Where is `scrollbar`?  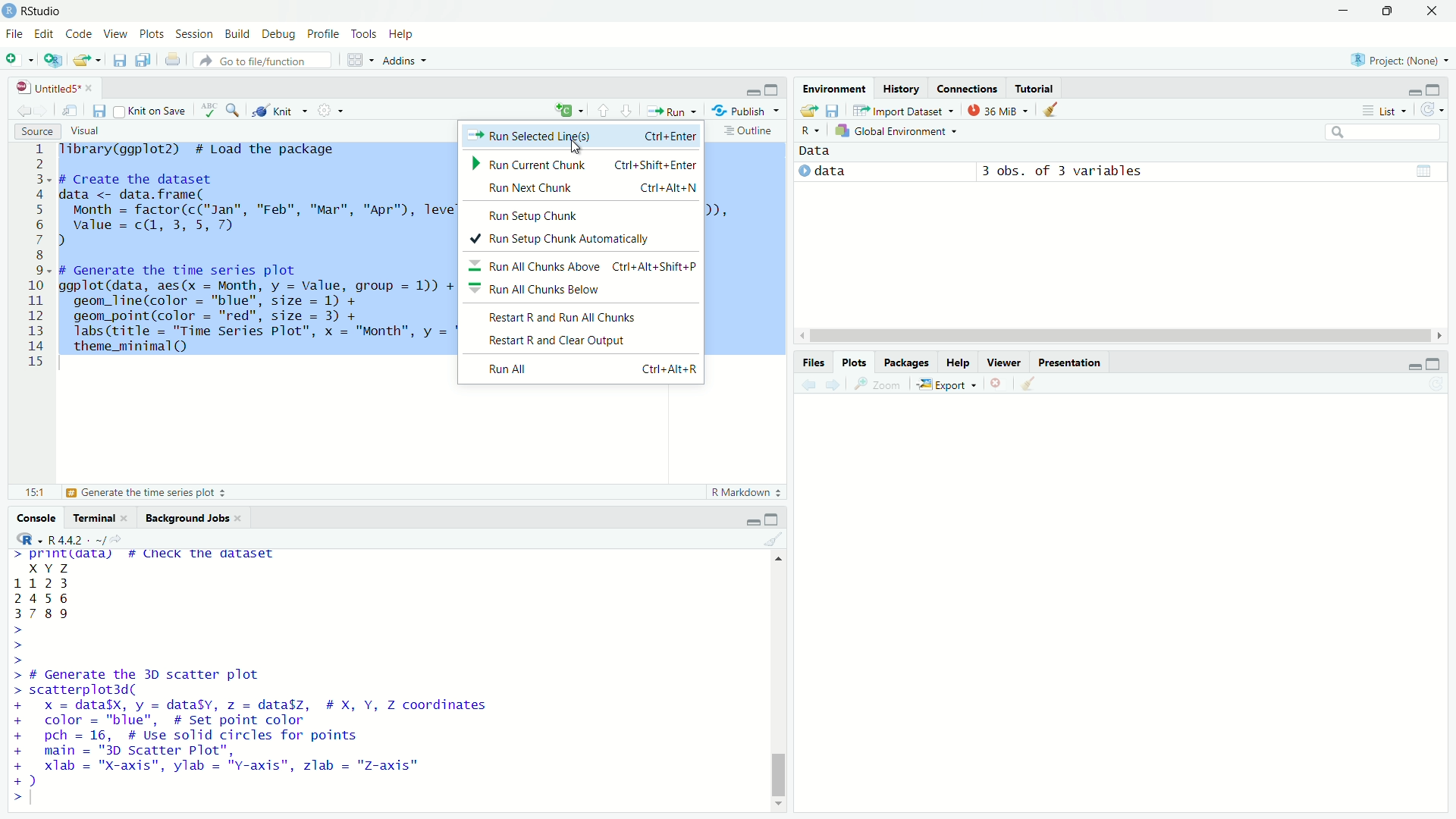 scrollbar is located at coordinates (1116, 337).